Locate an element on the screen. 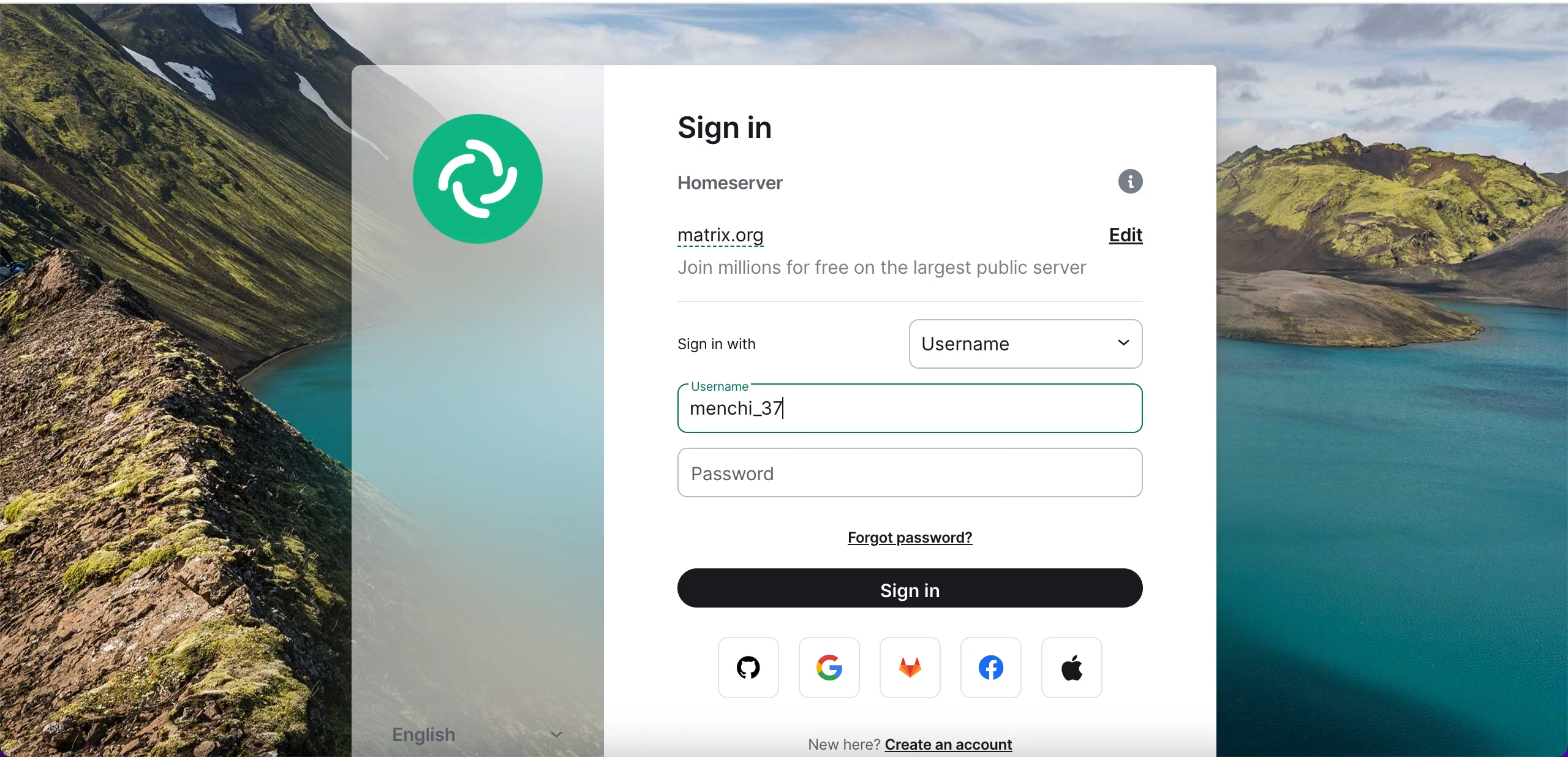 The width and height of the screenshot is (1568, 757). English is located at coordinates (485, 736).